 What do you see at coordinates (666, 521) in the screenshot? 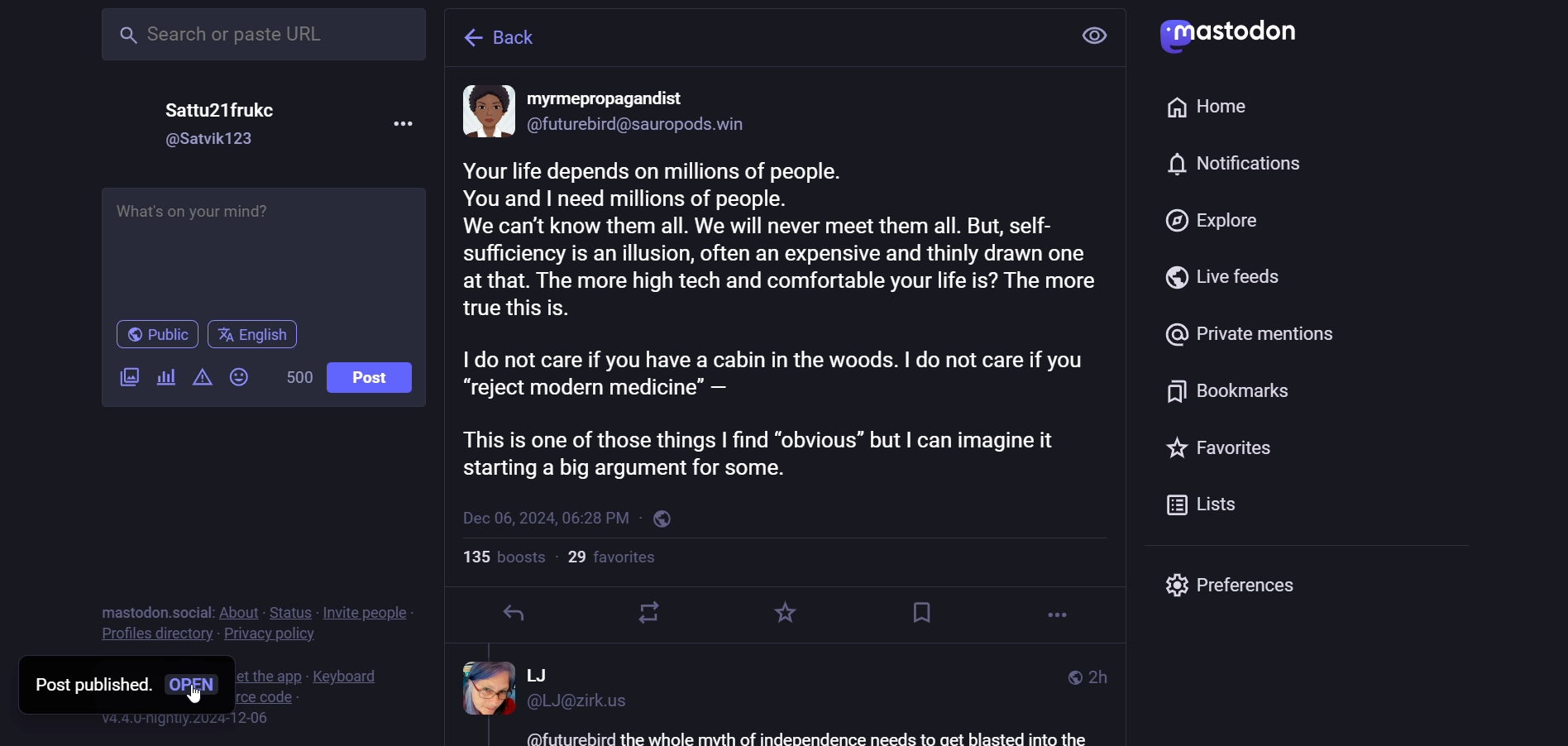
I see `public` at bounding box center [666, 521].